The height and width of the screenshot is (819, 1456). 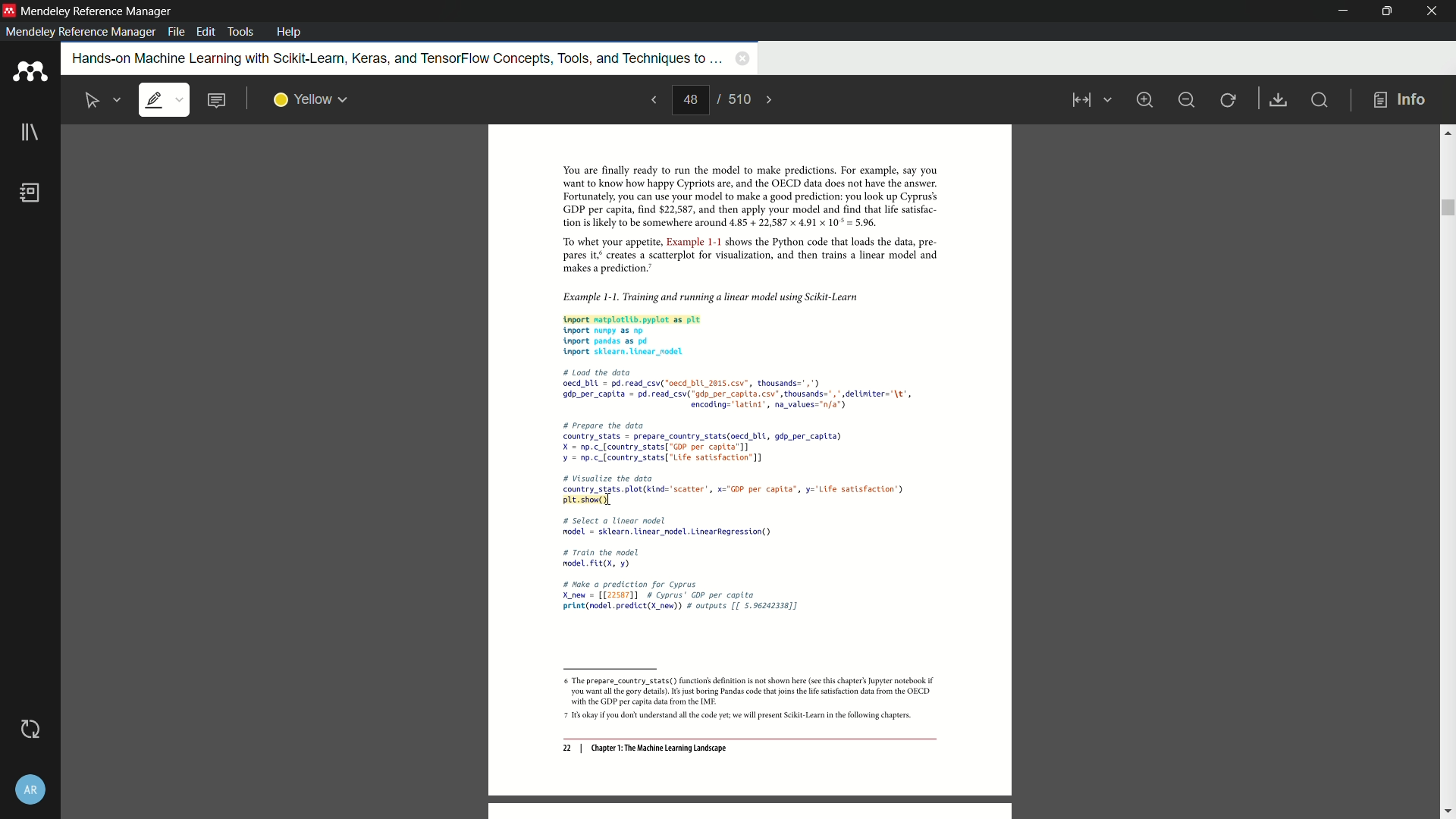 What do you see at coordinates (163, 101) in the screenshot?
I see `highlight text is selected` at bounding box center [163, 101].